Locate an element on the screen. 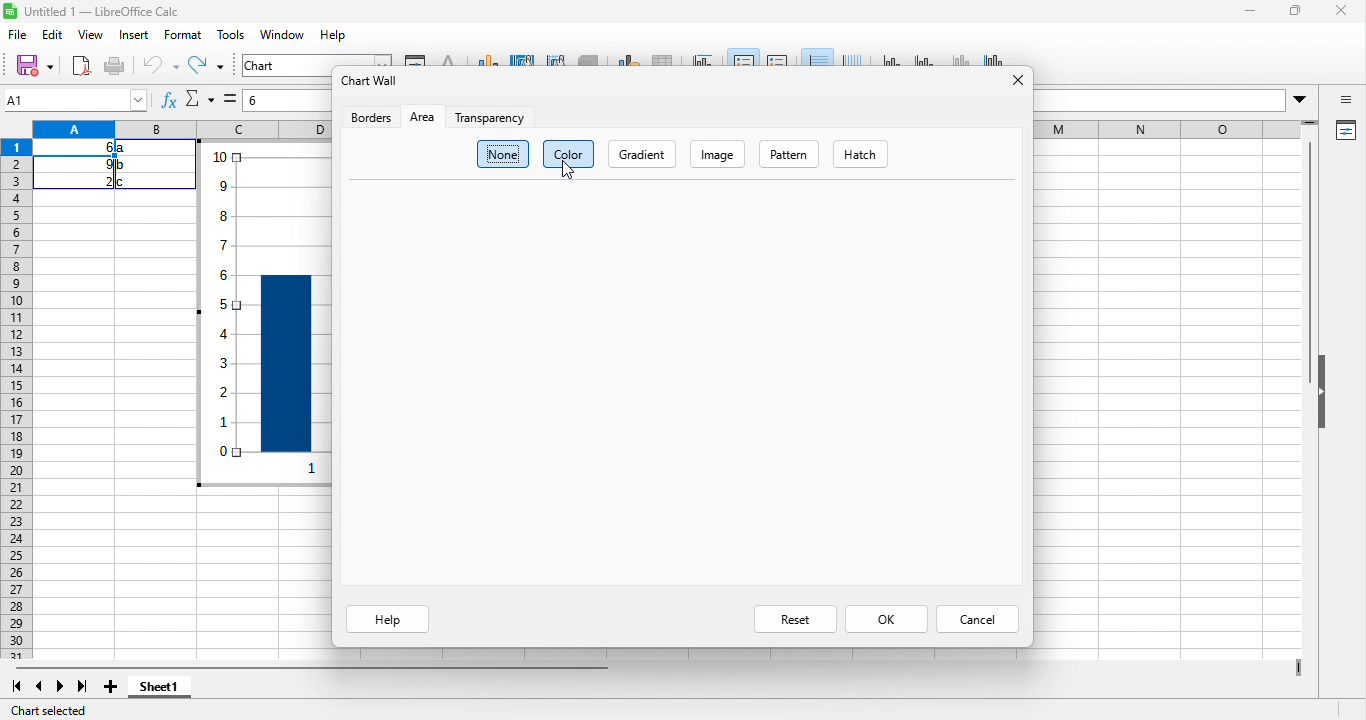 This screenshot has height=720, width=1366. b is located at coordinates (122, 165).